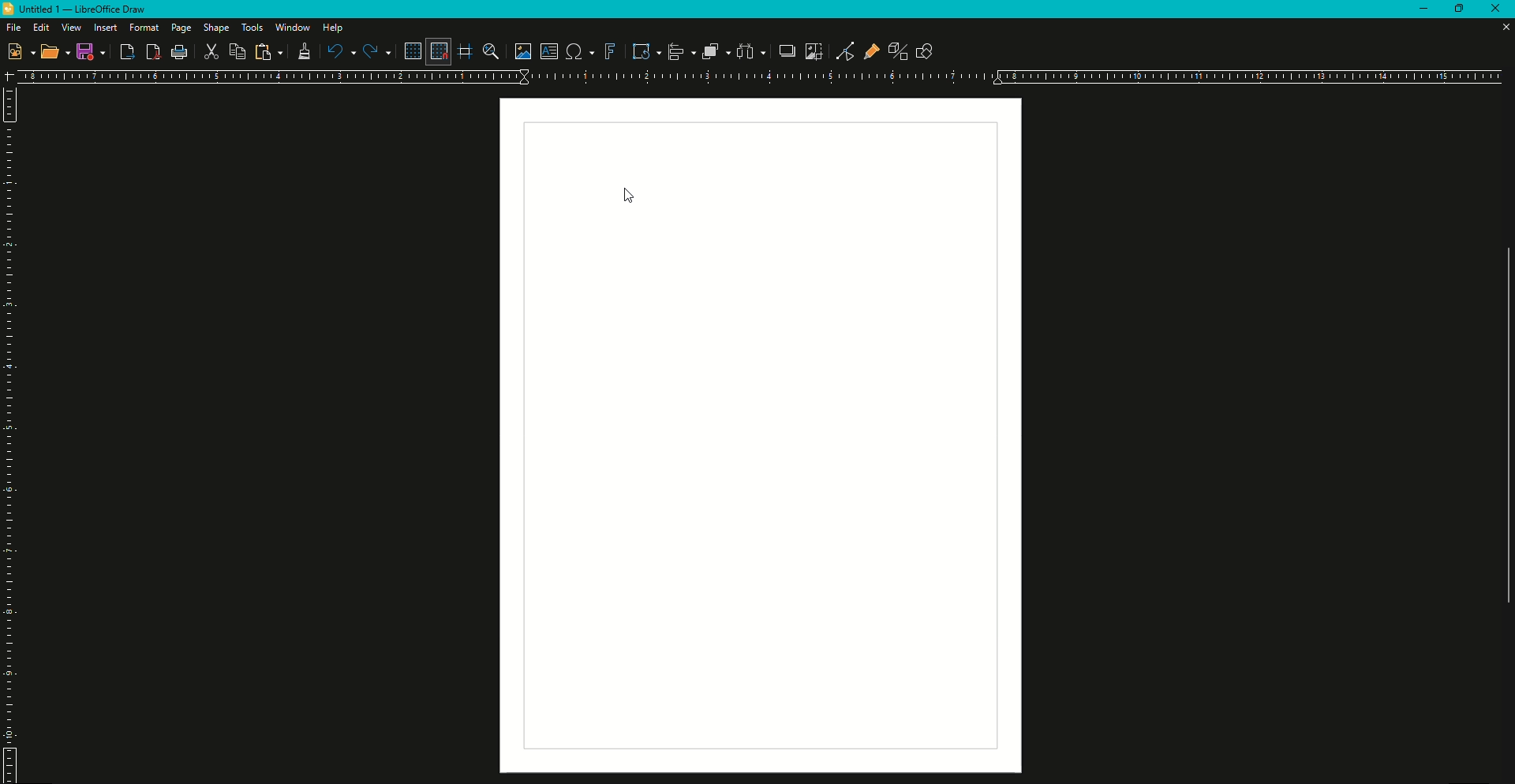 This screenshot has height=784, width=1515. I want to click on Helplines, so click(463, 50).